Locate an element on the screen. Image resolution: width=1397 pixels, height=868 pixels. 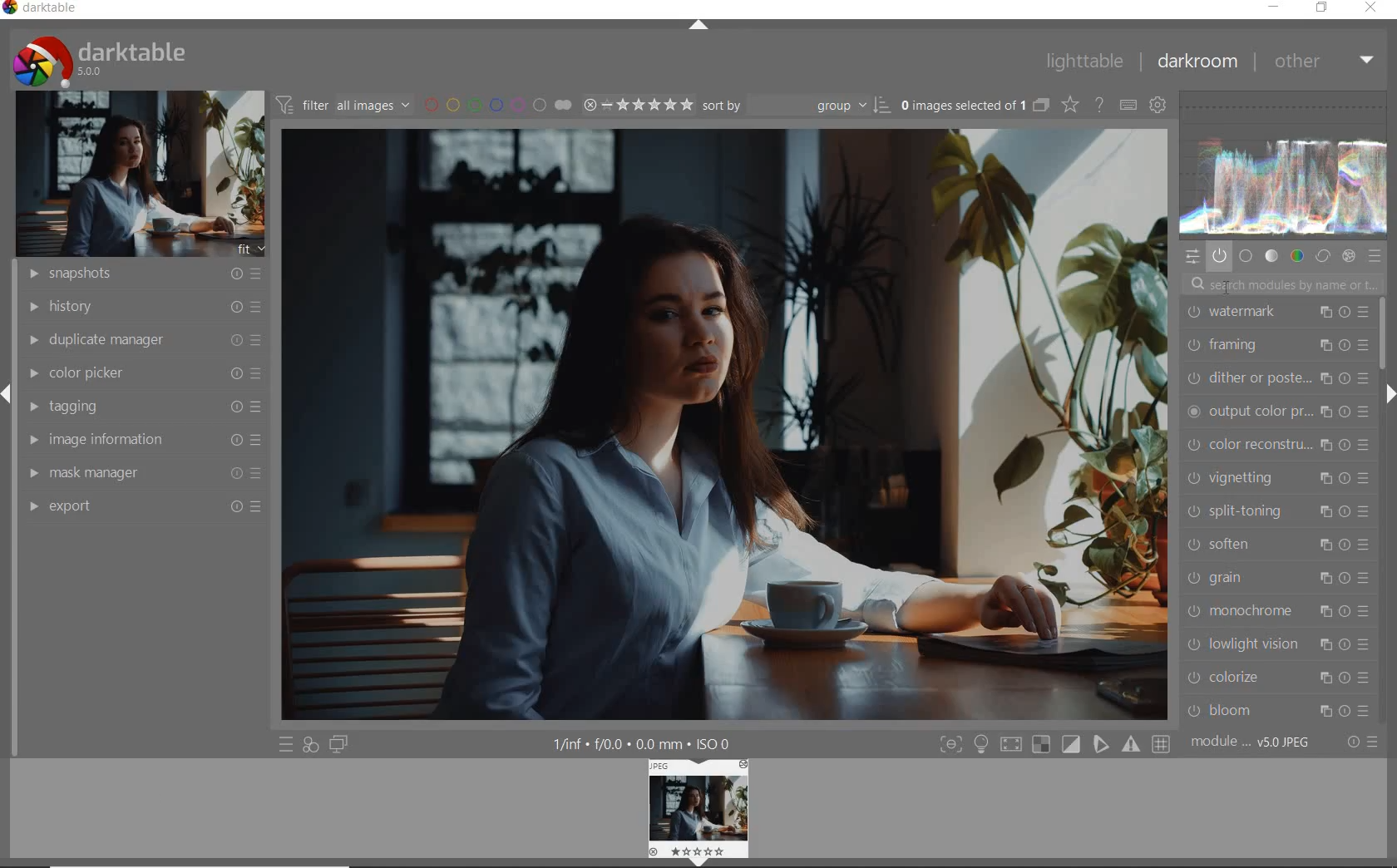
waveform is located at coordinates (1288, 165).